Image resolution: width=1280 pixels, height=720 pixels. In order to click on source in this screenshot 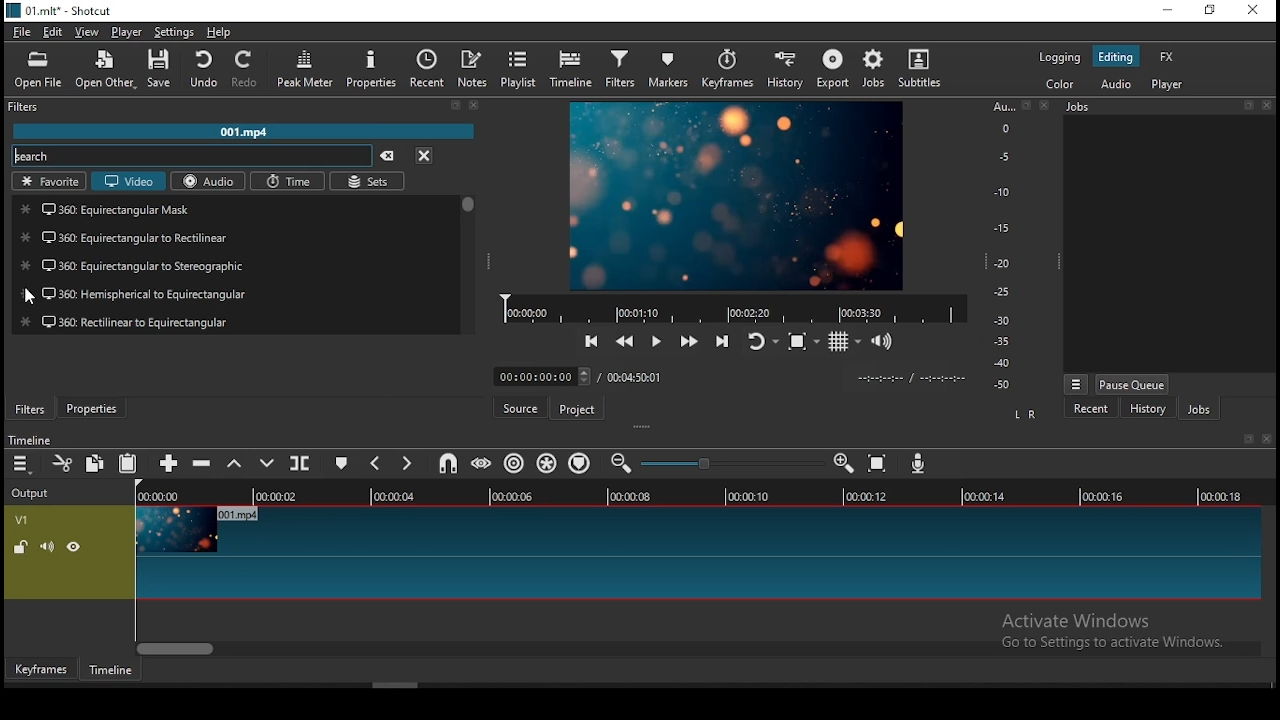, I will do `click(519, 407)`.